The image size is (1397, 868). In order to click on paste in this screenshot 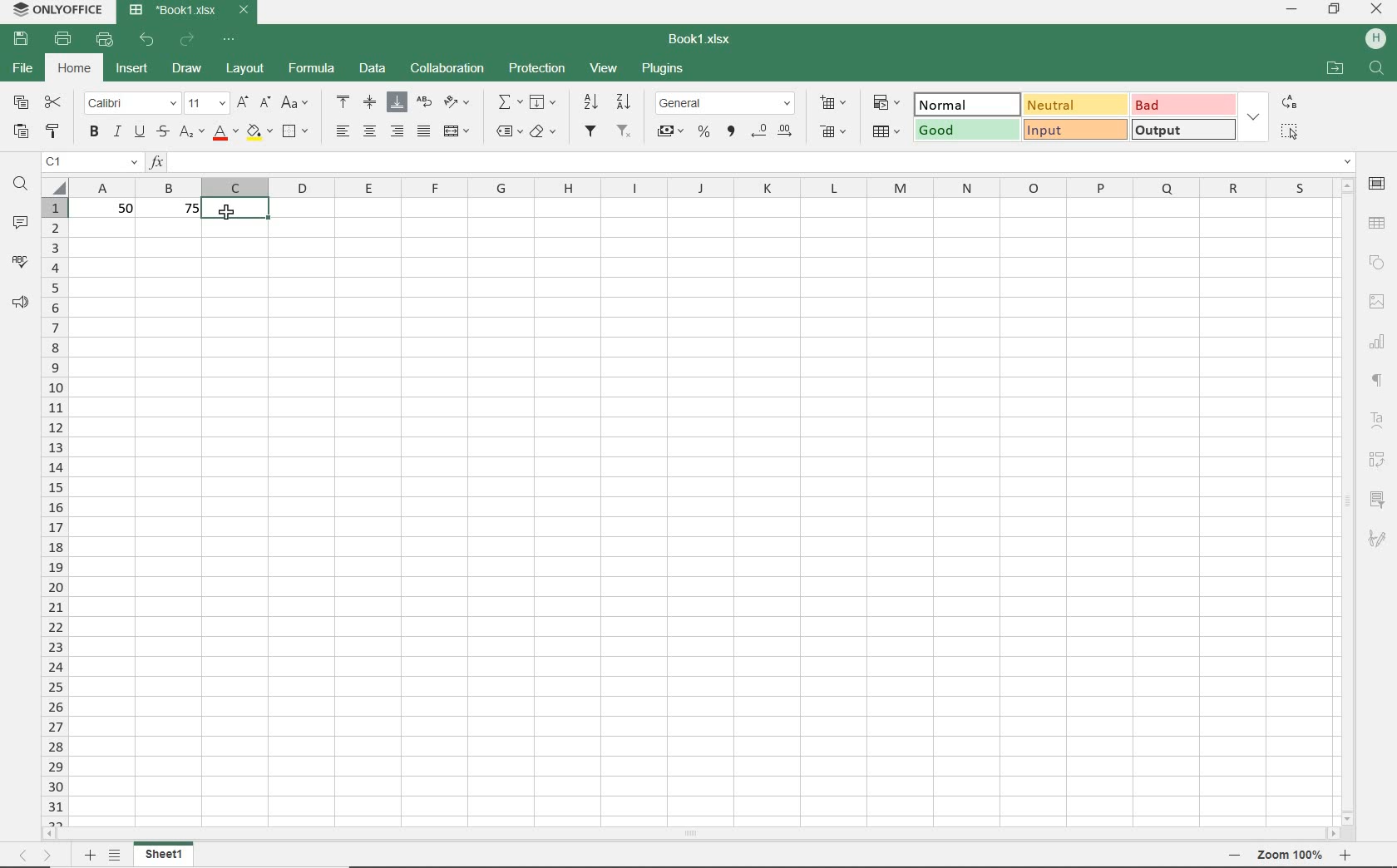, I will do `click(20, 131)`.